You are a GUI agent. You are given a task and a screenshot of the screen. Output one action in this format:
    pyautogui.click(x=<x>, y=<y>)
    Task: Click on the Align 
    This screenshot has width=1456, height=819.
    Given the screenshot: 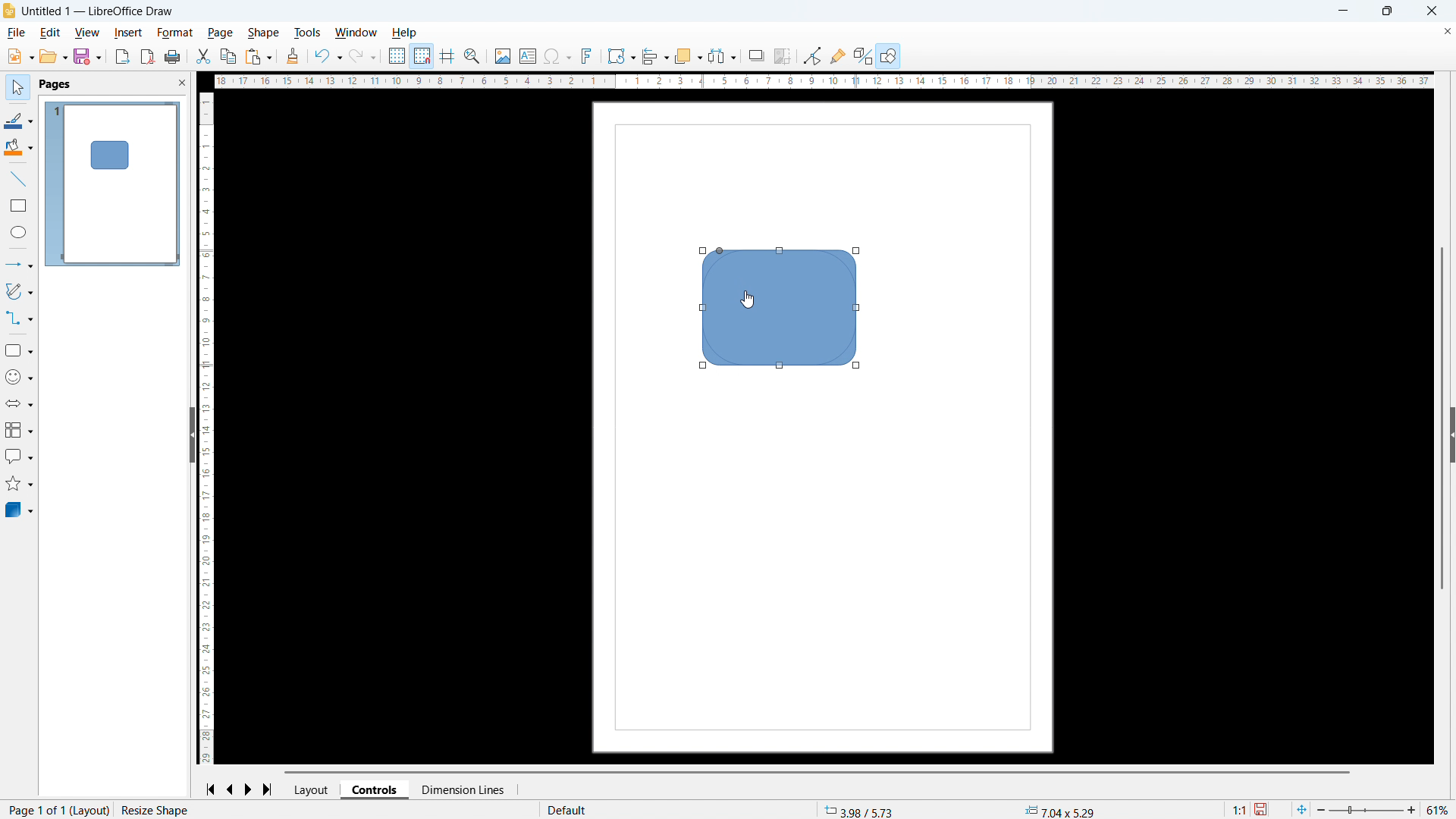 What is the action you would take?
    pyautogui.click(x=655, y=57)
    